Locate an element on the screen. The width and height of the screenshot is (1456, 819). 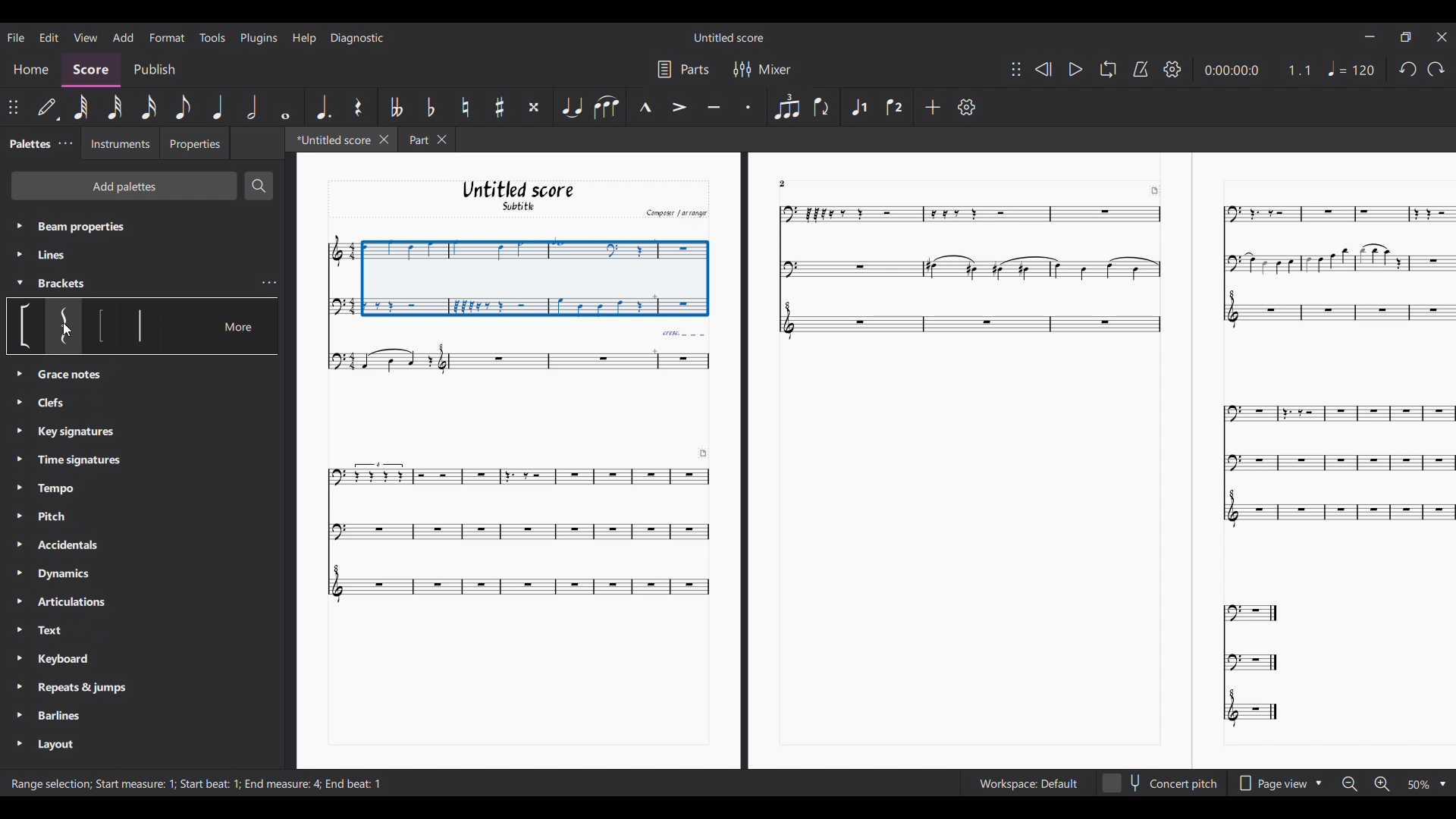
Tools is located at coordinates (212, 37).